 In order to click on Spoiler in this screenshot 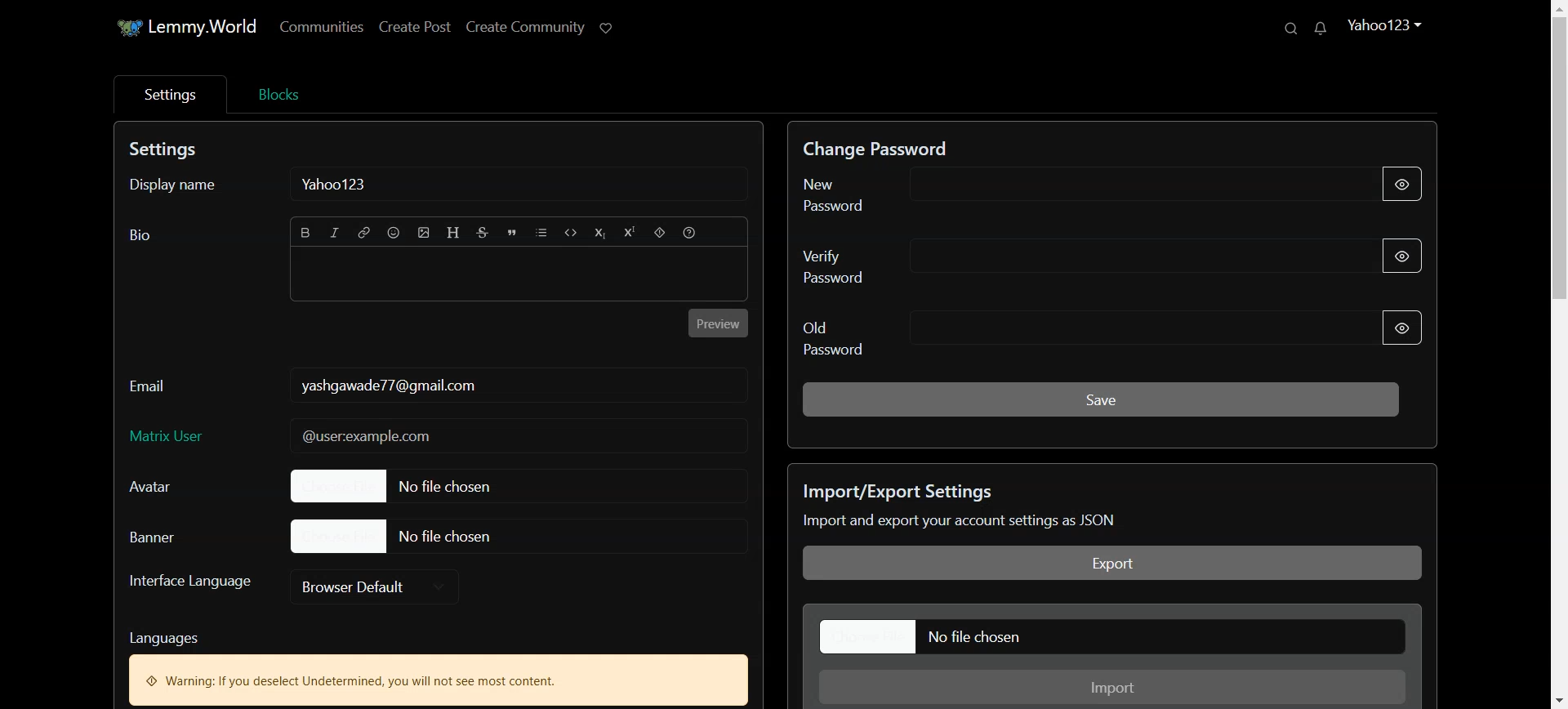, I will do `click(658, 234)`.